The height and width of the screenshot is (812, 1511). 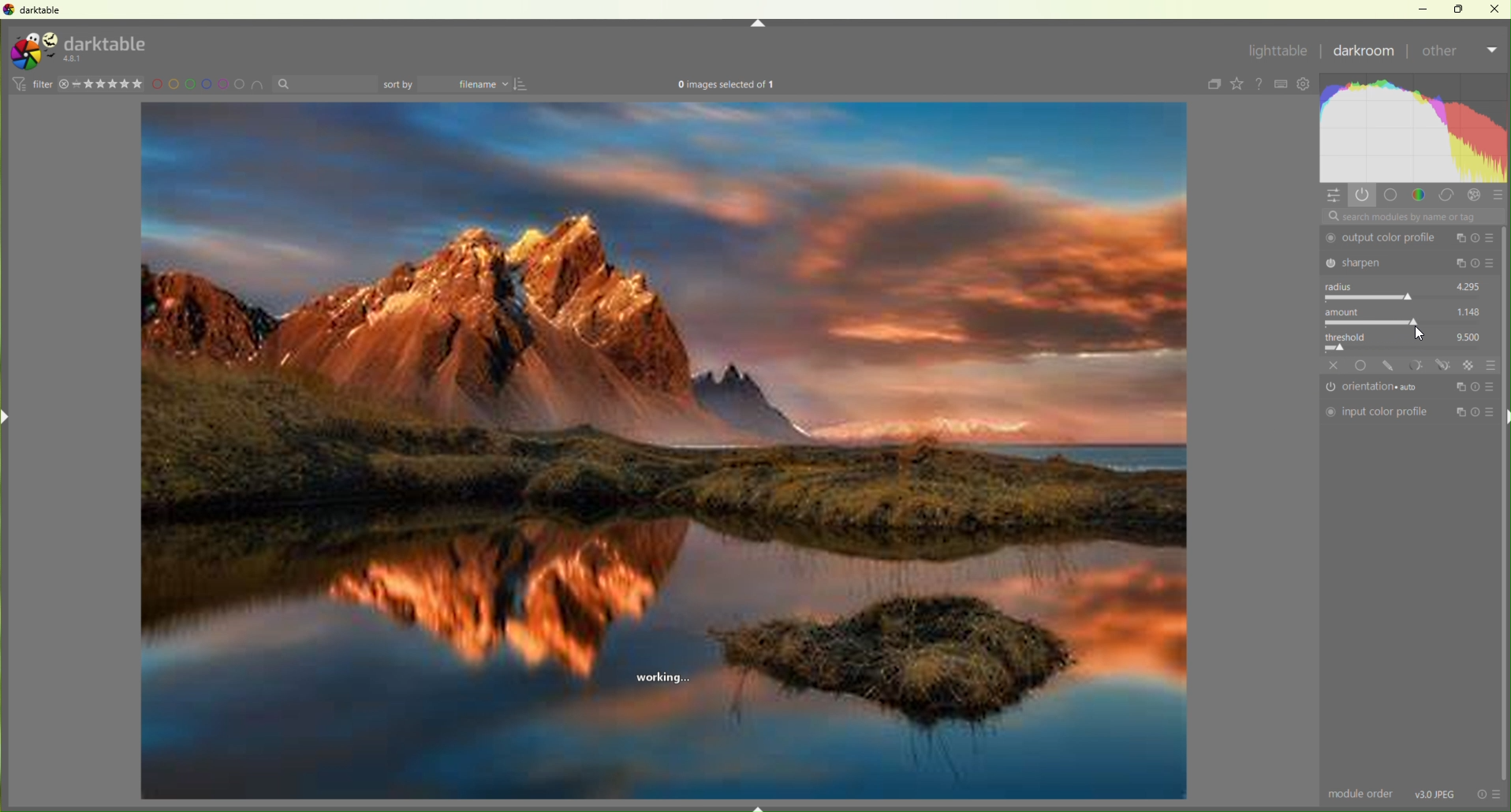 I want to click on input slider, so click(x=1408, y=348).